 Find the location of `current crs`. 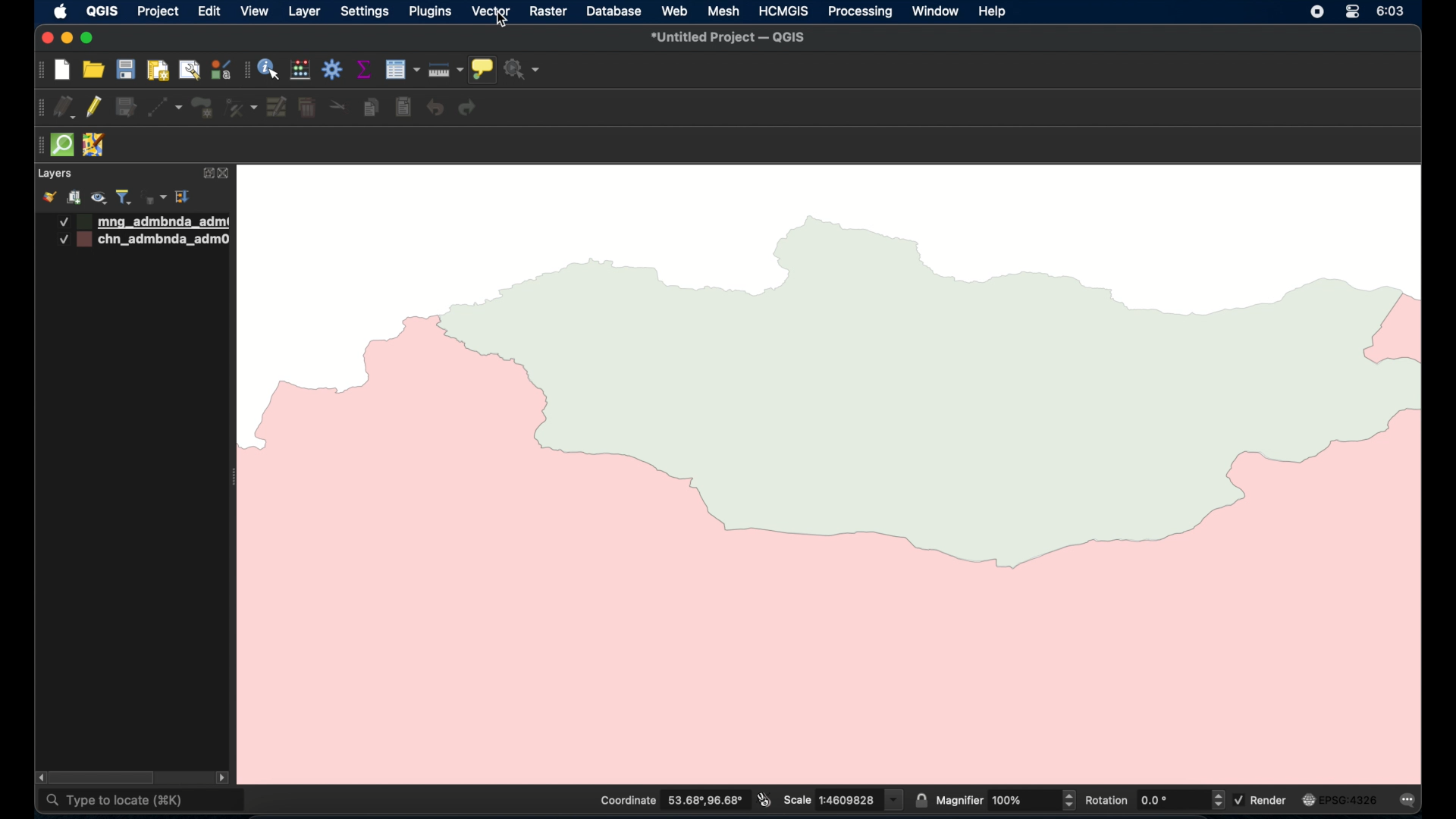

current crs is located at coordinates (1340, 799).